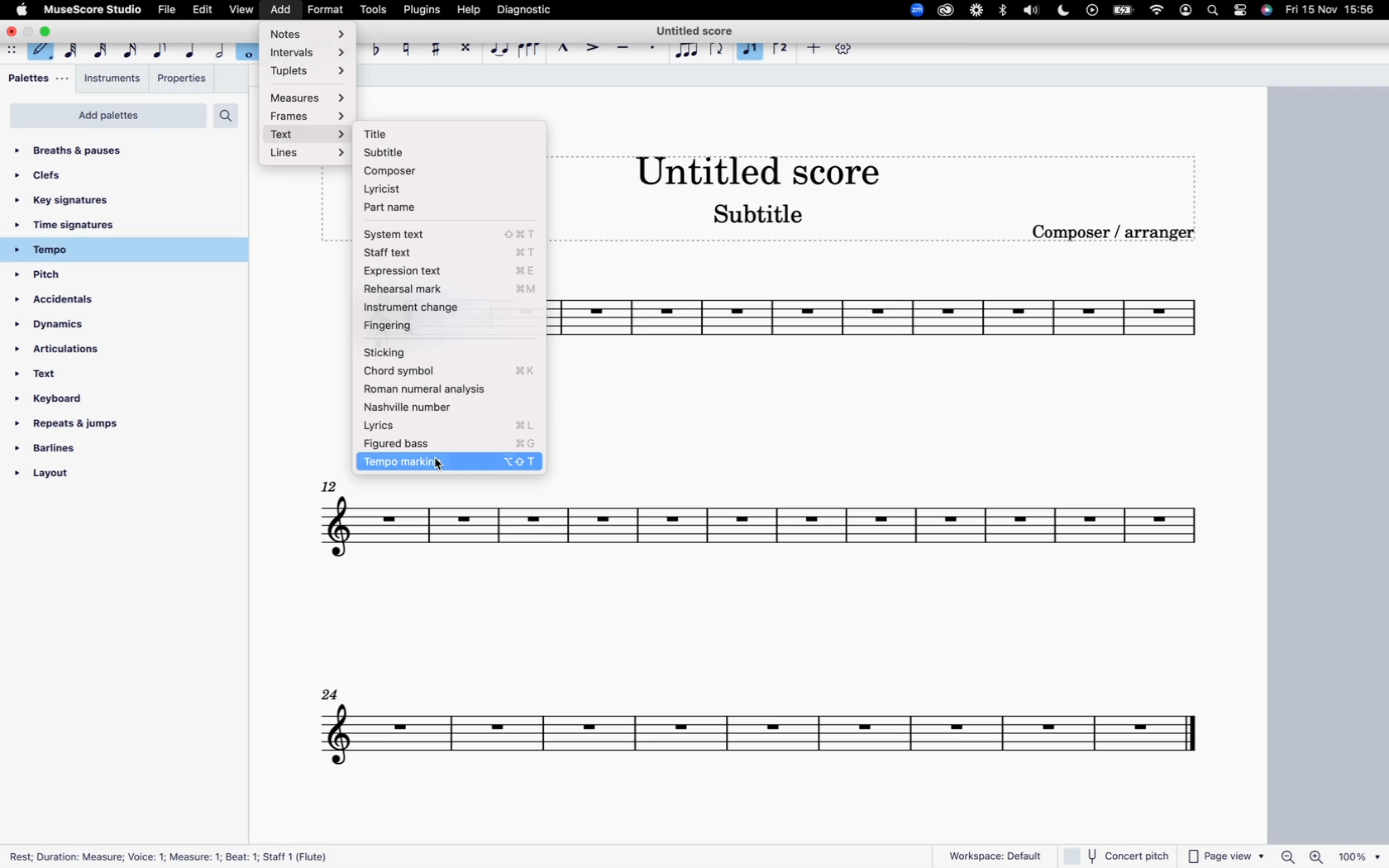 Image resolution: width=1389 pixels, height=868 pixels. What do you see at coordinates (376, 8) in the screenshot?
I see `tools` at bounding box center [376, 8].